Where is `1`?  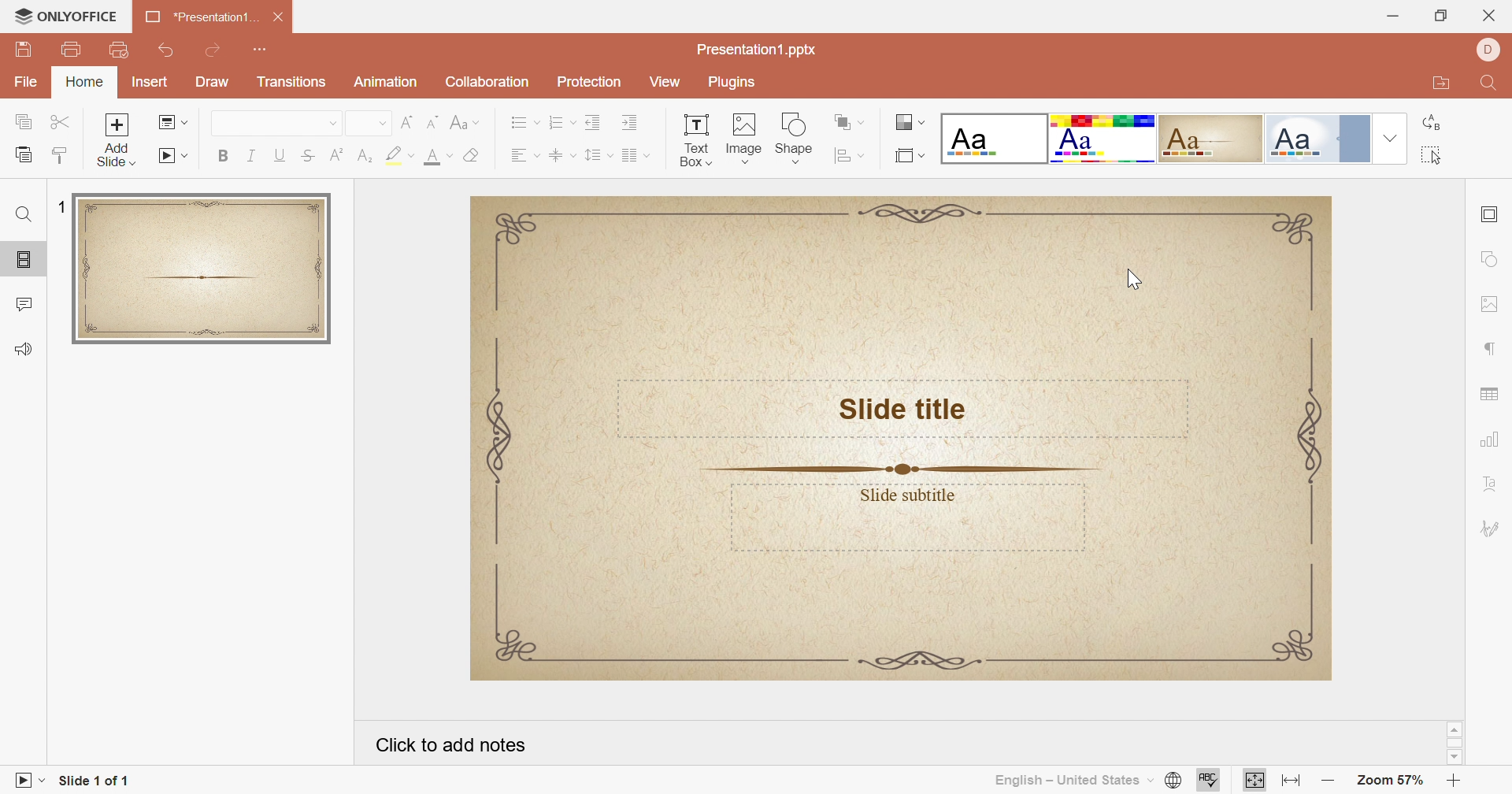
1 is located at coordinates (57, 203).